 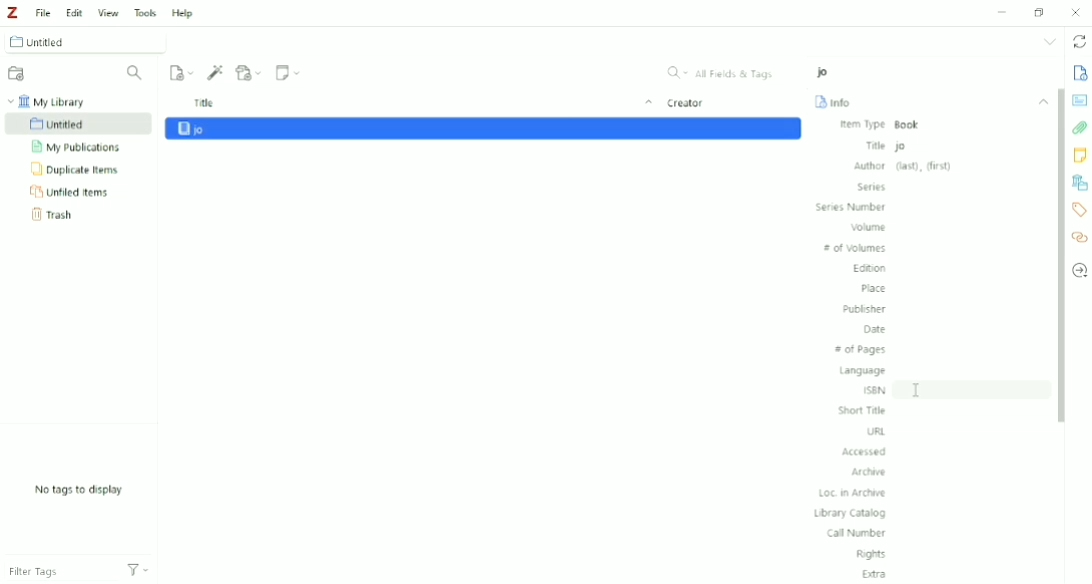 What do you see at coordinates (57, 217) in the screenshot?
I see `Trash` at bounding box center [57, 217].